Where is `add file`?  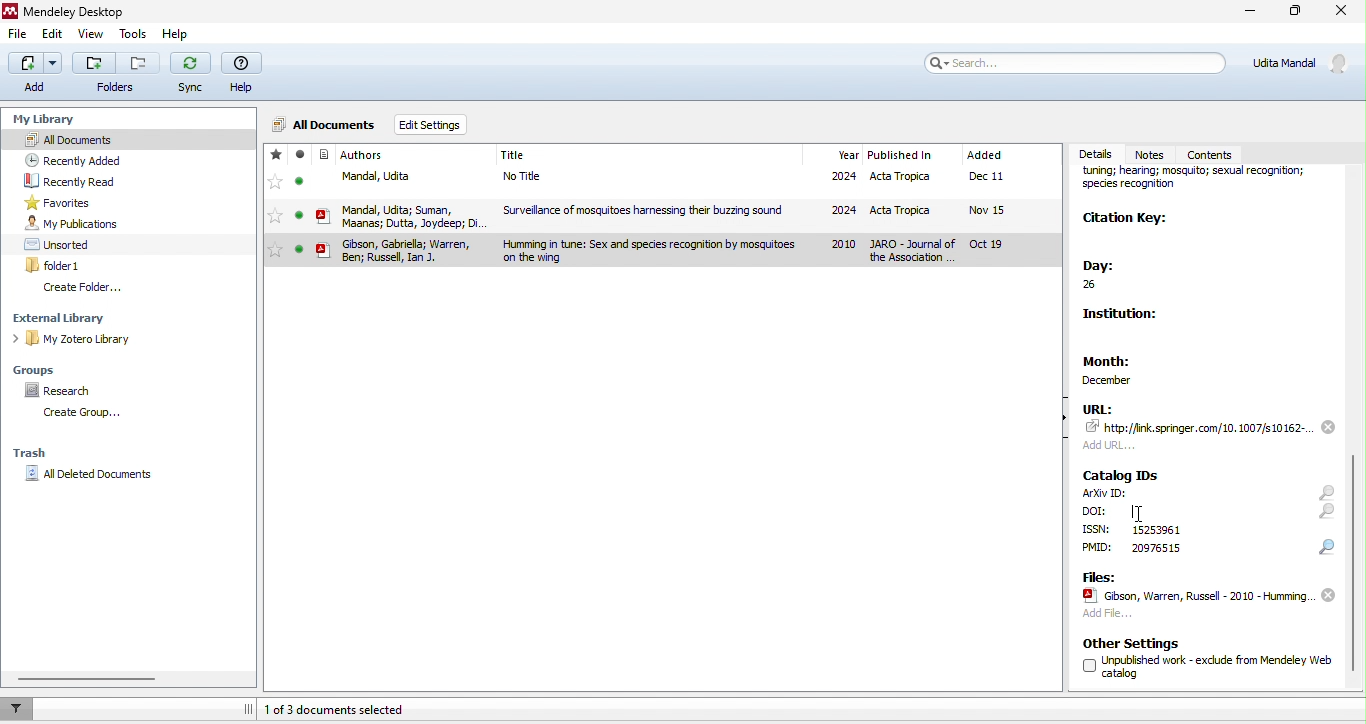 add file is located at coordinates (1107, 616).